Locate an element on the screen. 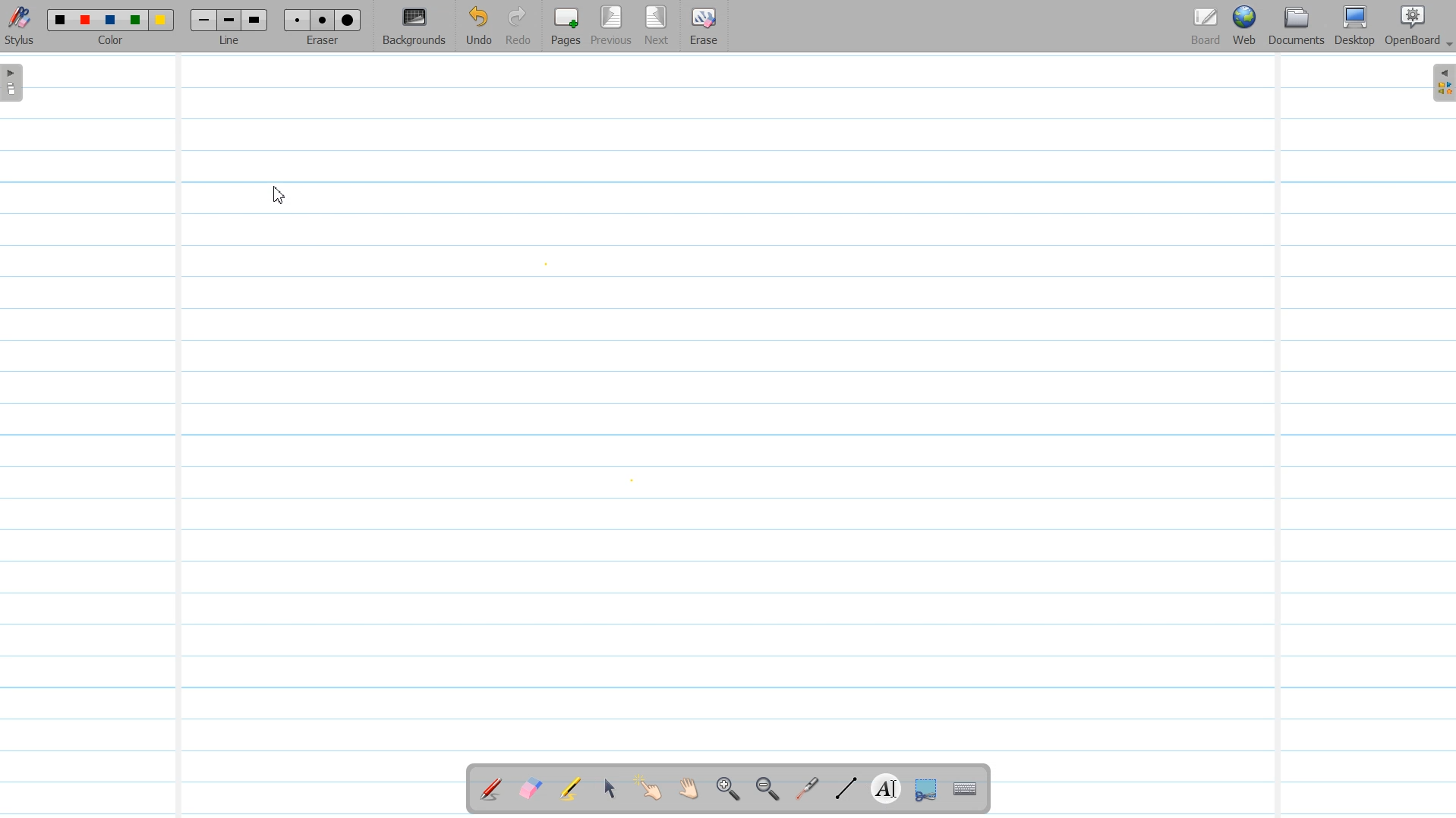 The width and height of the screenshot is (1456, 818). Scroll Page is located at coordinates (689, 790).